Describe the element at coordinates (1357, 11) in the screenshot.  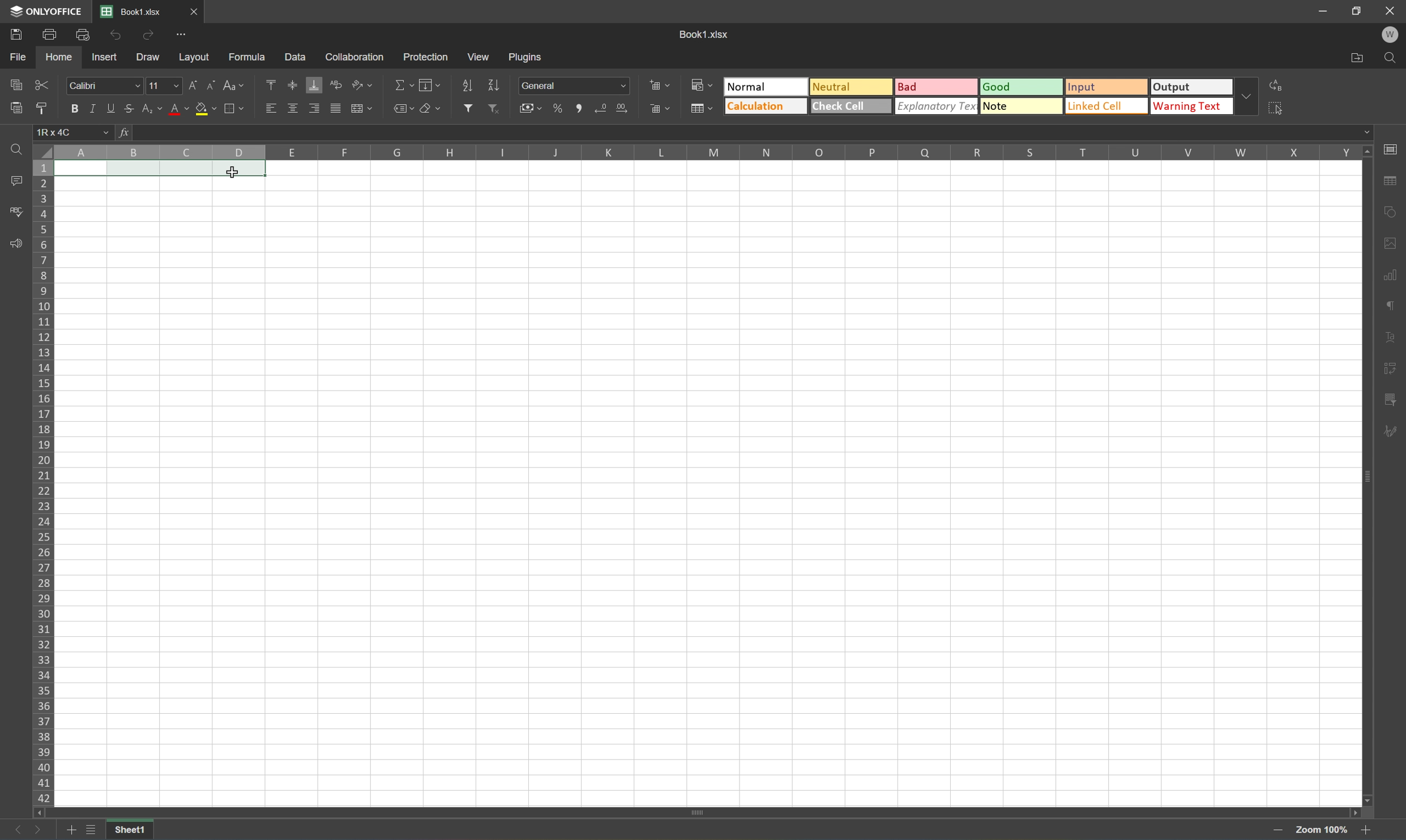
I see `Restore down` at that location.